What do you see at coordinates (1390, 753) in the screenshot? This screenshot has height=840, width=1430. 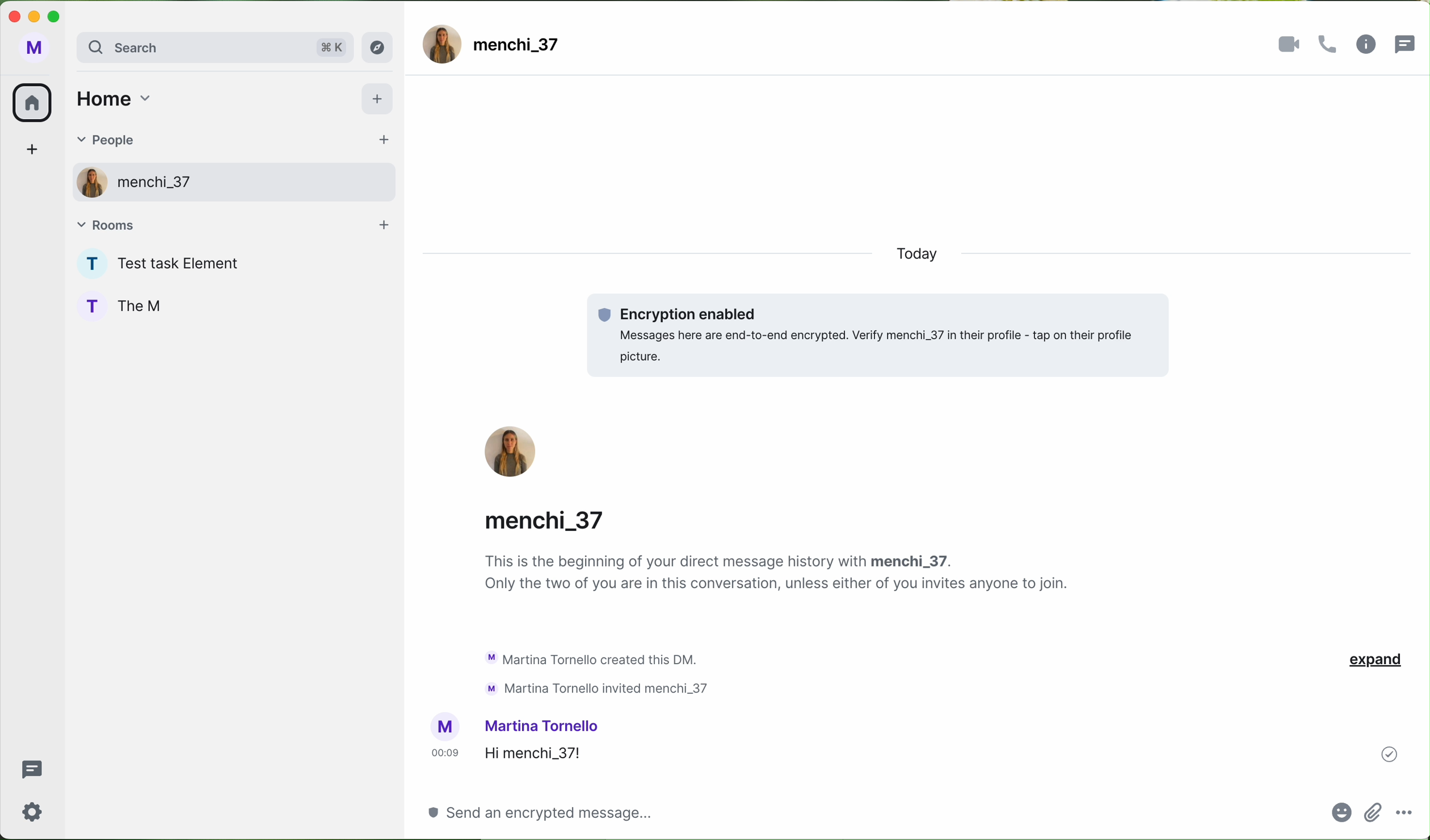 I see `sent` at bounding box center [1390, 753].